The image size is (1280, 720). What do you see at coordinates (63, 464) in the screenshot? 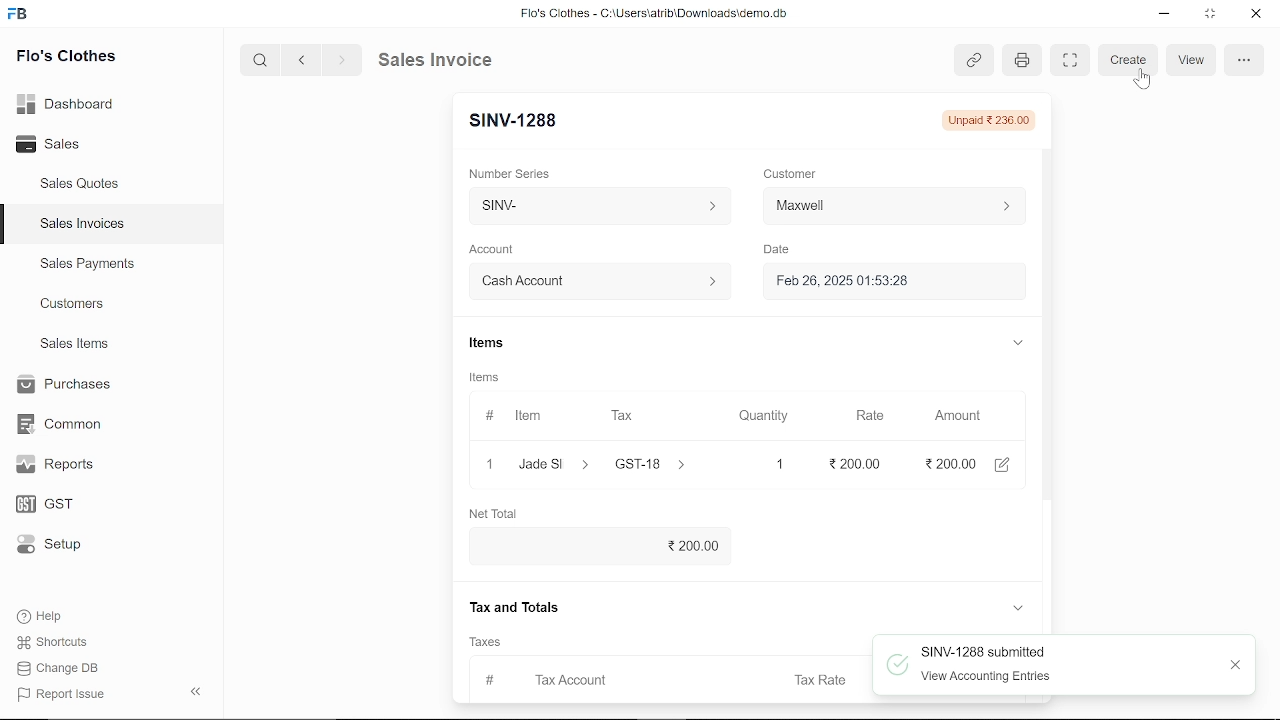
I see `Reports.` at bounding box center [63, 464].